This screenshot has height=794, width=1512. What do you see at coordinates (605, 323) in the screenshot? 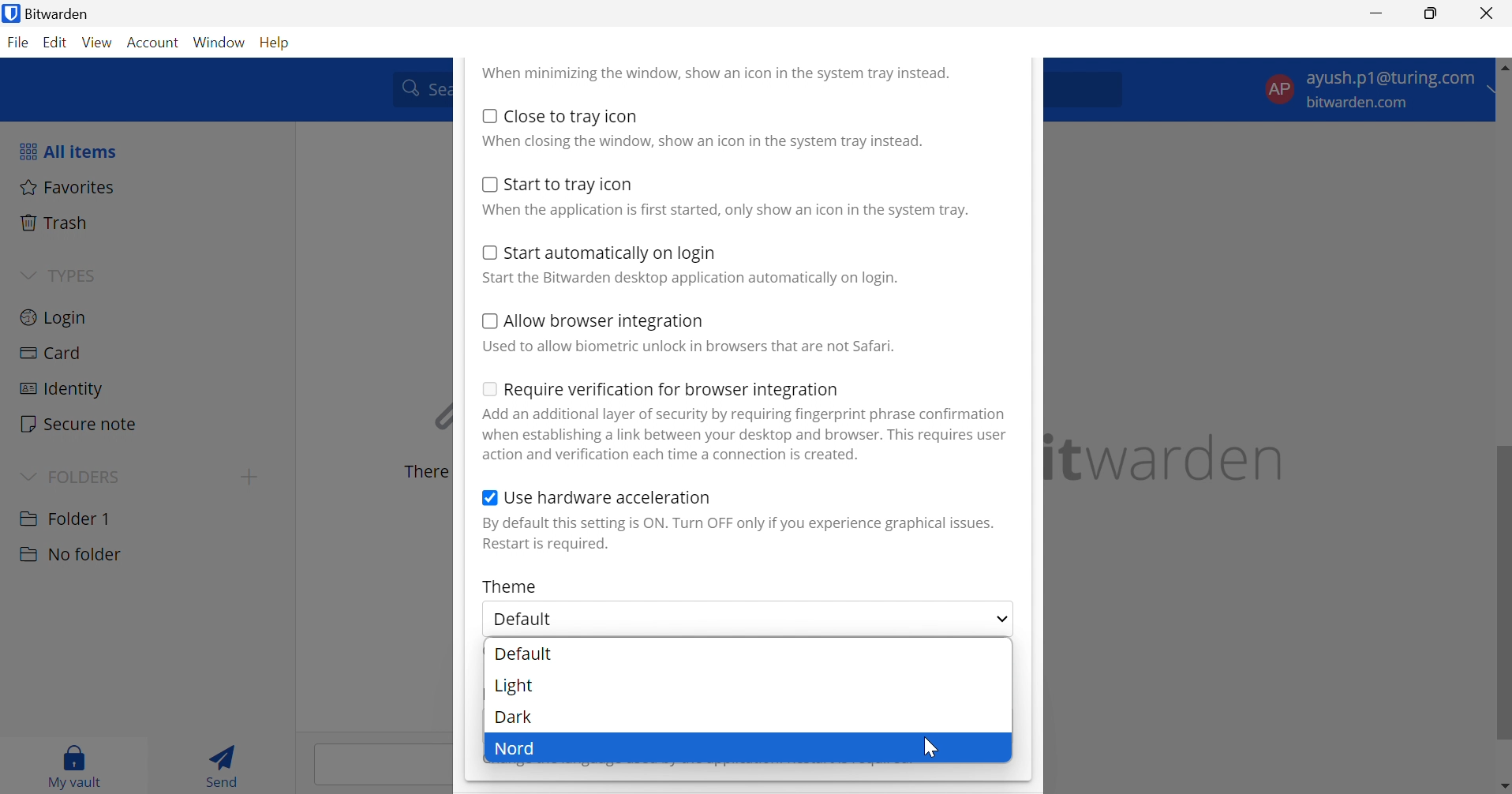
I see `Allow browser integration` at bounding box center [605, 323].